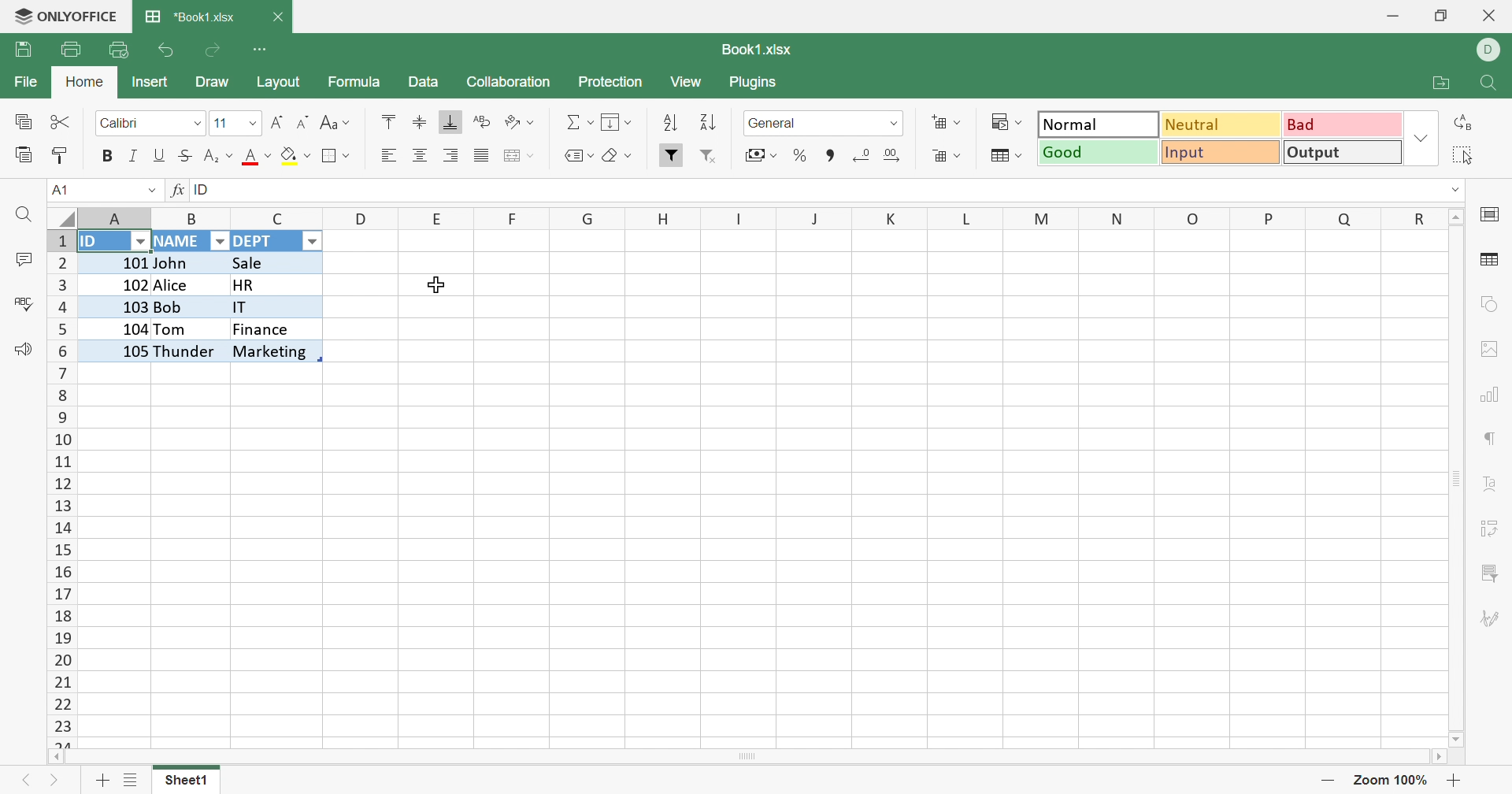  I want to click on Orientation, so click(517, 121).